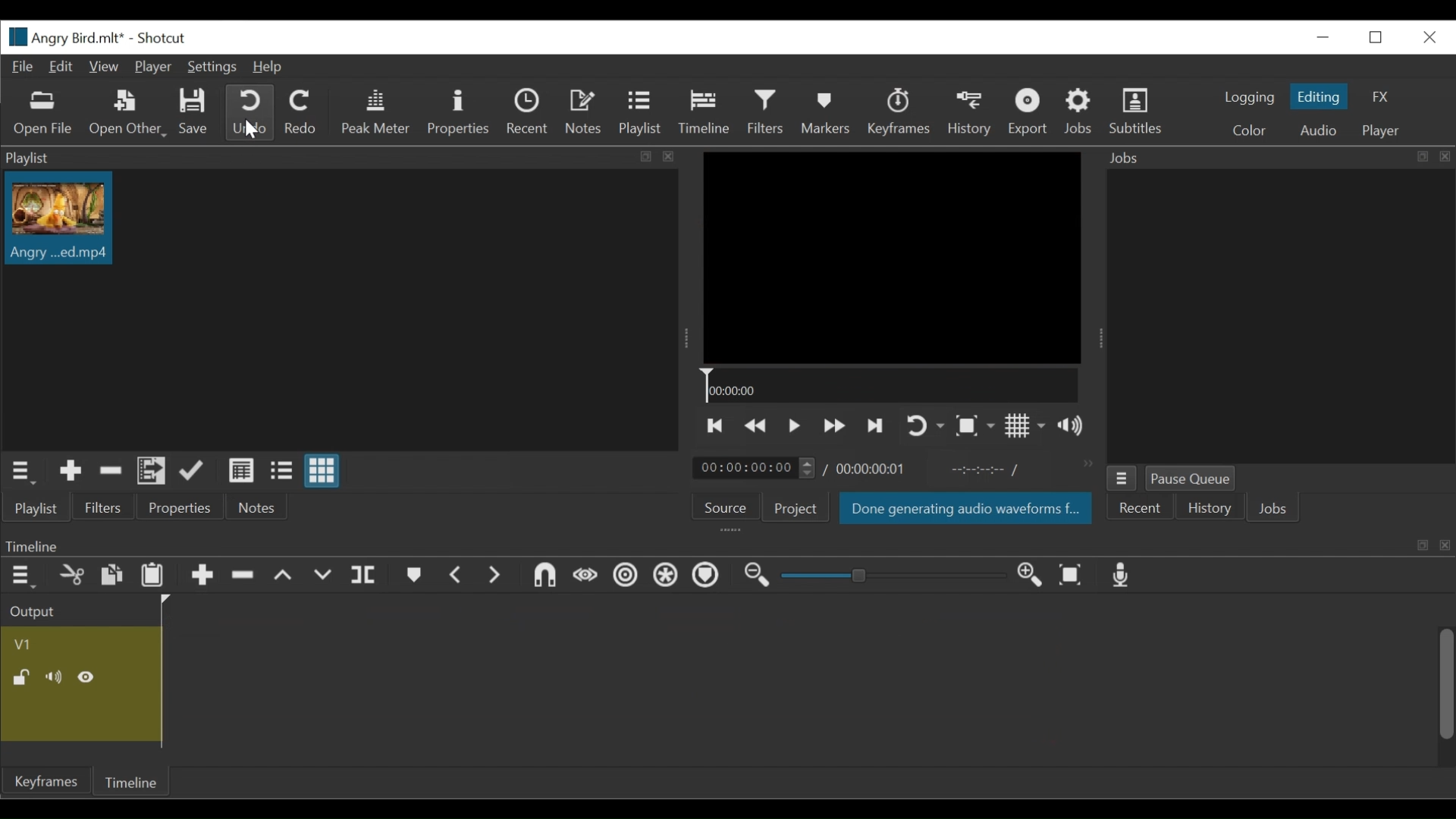 The width and height of the screenshot is (1456, 819). Describe the element at coordinates (52, 675) in the screenshot. I see `mute` at that location.